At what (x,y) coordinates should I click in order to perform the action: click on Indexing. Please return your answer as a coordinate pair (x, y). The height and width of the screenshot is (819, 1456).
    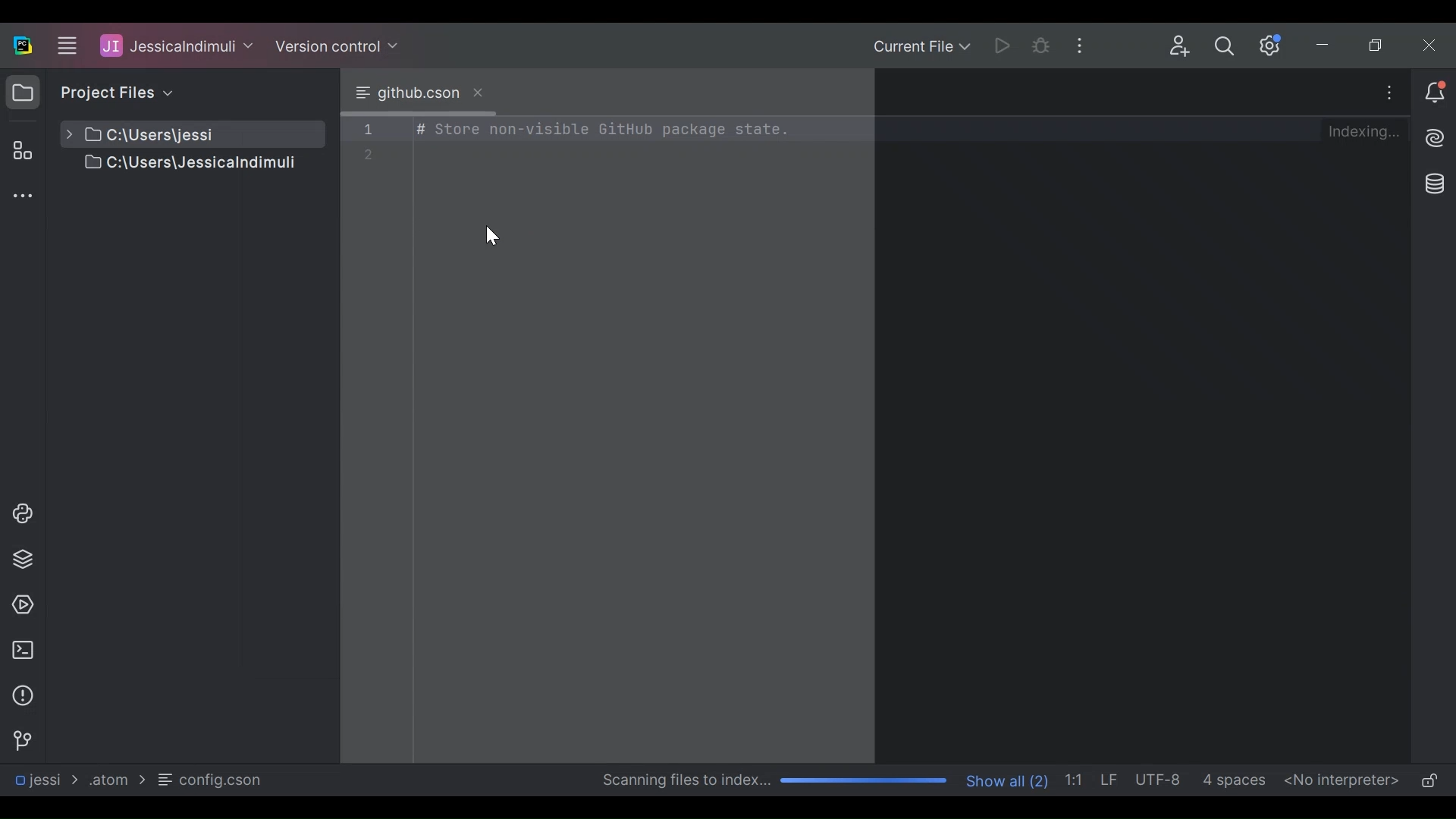
    Looking at the image, I should click on (1367, 130).